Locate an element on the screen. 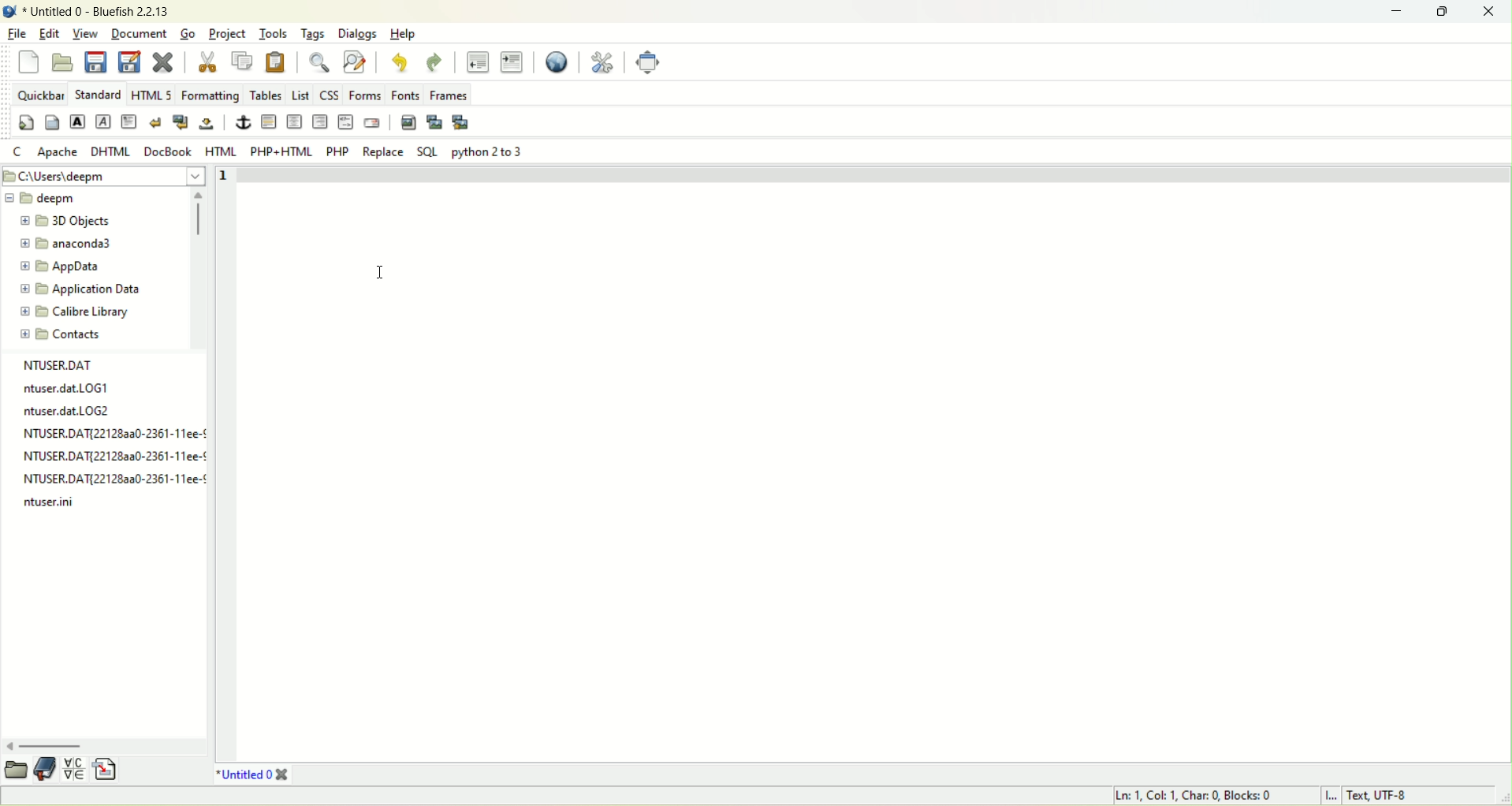 This screenshot has width=1512, height=806. non breaking space is located at coordinates (206, 121).